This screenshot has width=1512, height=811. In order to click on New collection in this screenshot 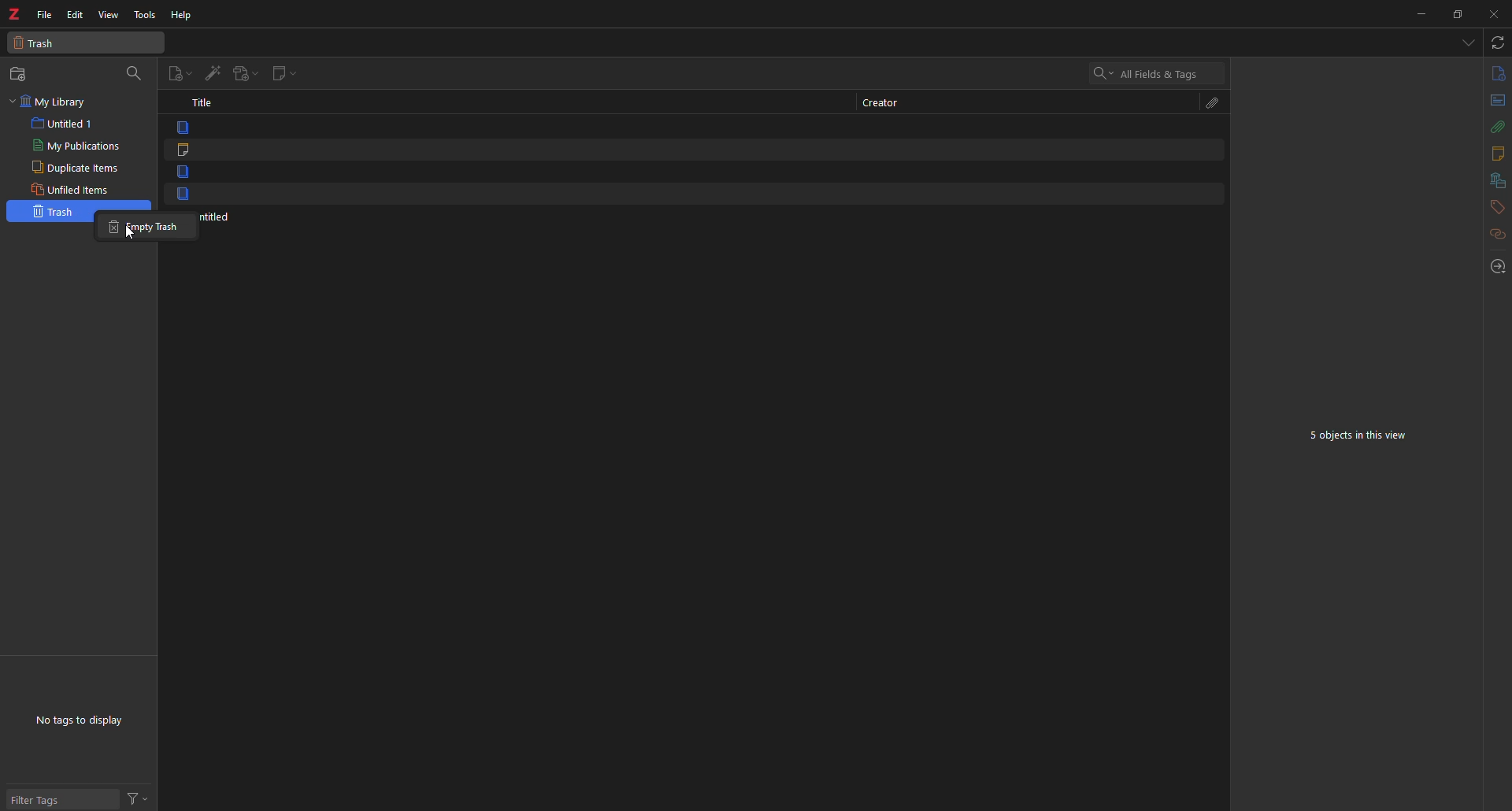, I will do `click(20, 73)`.